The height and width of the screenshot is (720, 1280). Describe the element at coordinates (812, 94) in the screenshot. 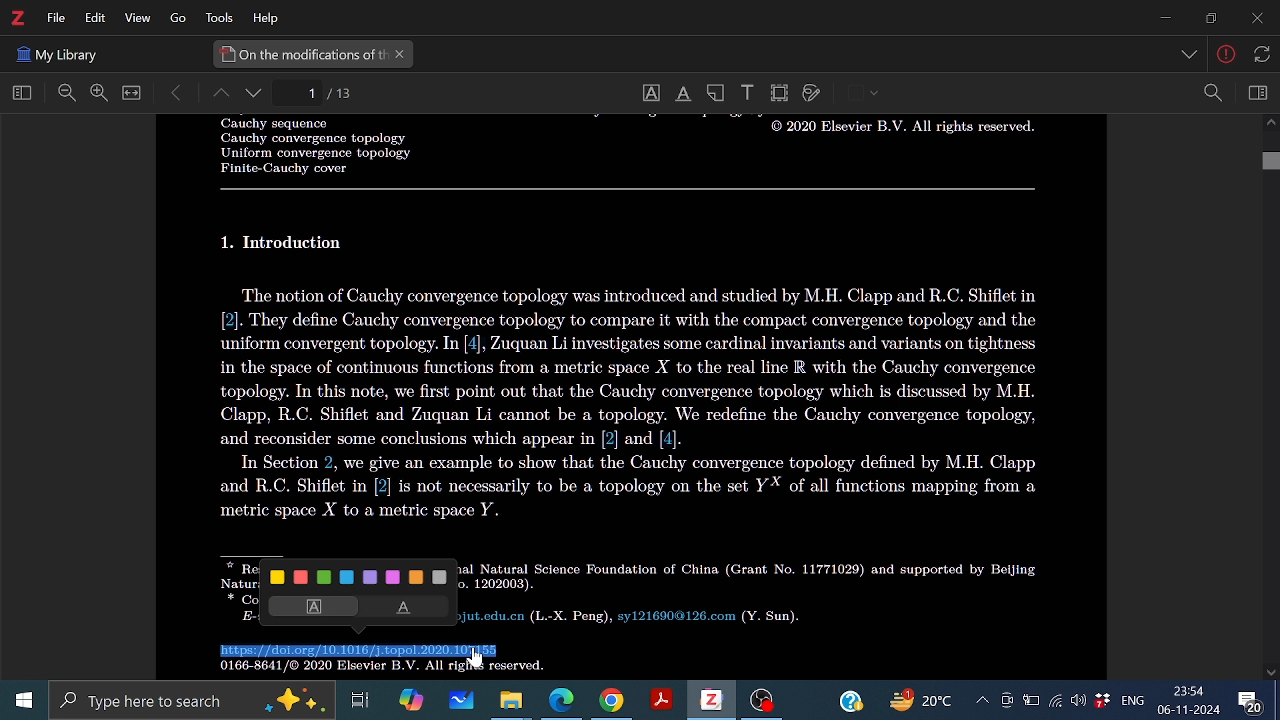

I see `Draw on page` at that location.